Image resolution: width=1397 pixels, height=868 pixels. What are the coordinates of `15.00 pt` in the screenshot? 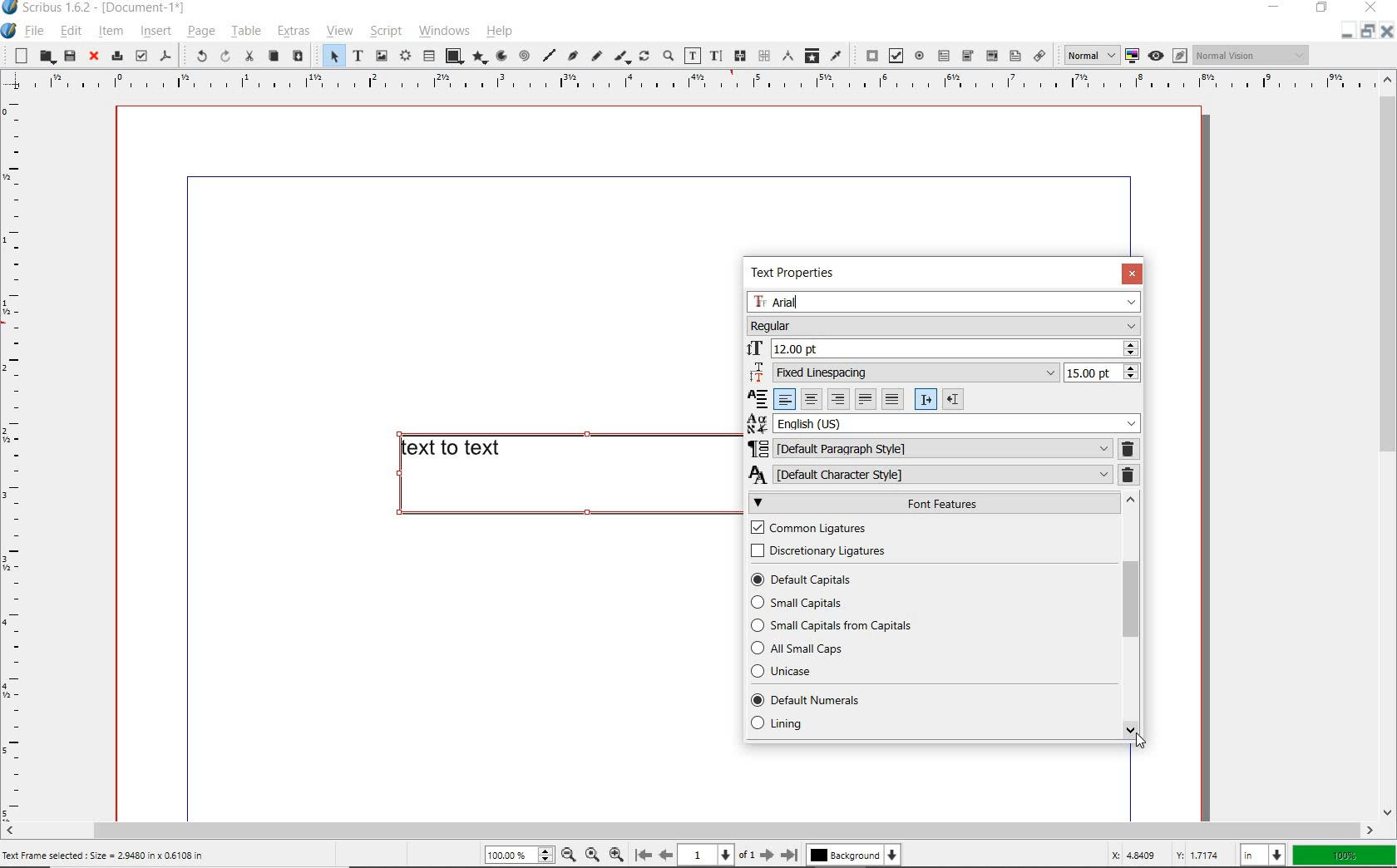 It's located at (1100, 373).